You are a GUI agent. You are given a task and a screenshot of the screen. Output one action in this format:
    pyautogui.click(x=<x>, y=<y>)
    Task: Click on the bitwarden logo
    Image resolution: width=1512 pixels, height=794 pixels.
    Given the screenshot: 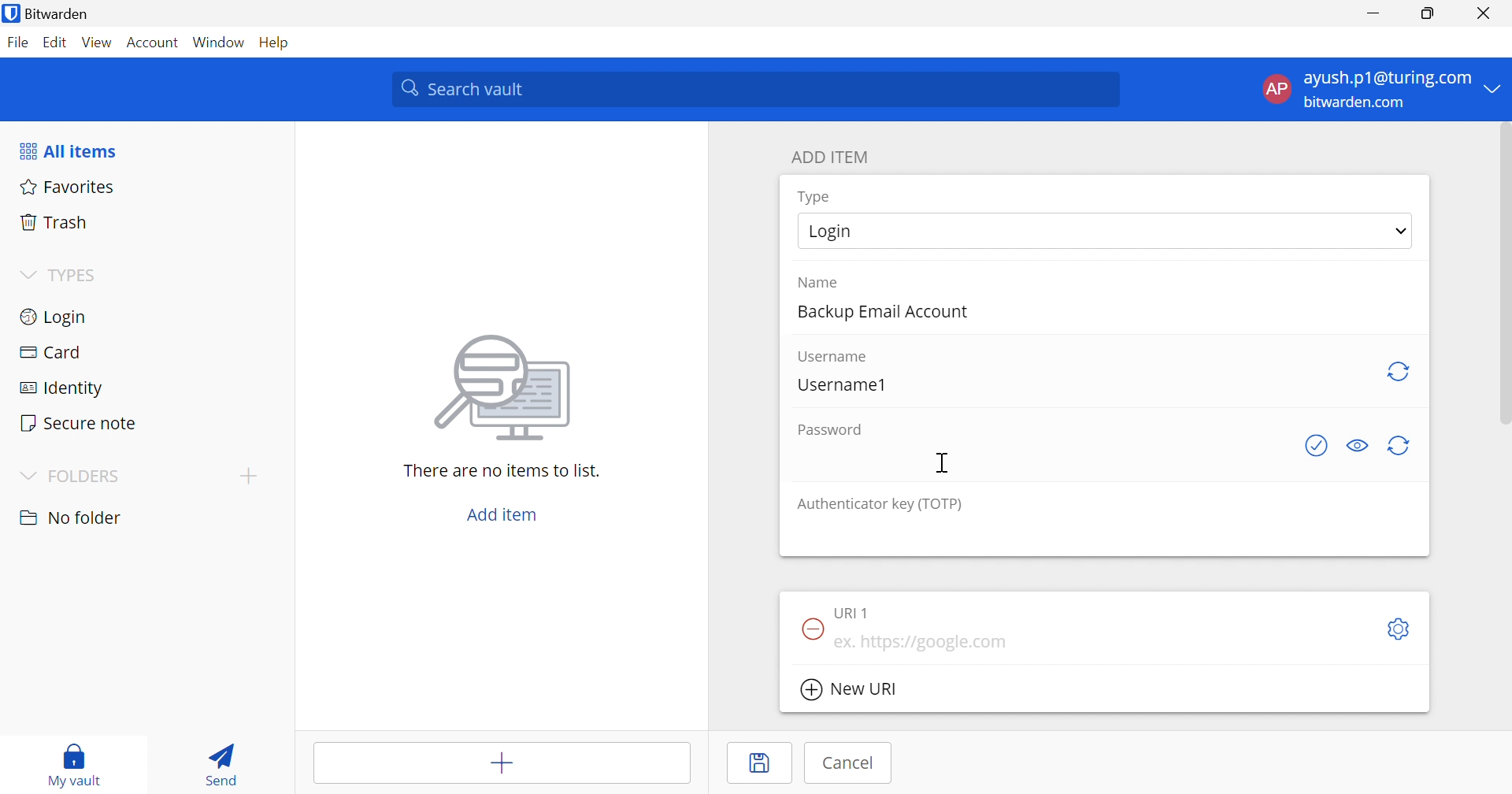 What is the action you would take?
    pyautogui.click(x=11, y=13)
    